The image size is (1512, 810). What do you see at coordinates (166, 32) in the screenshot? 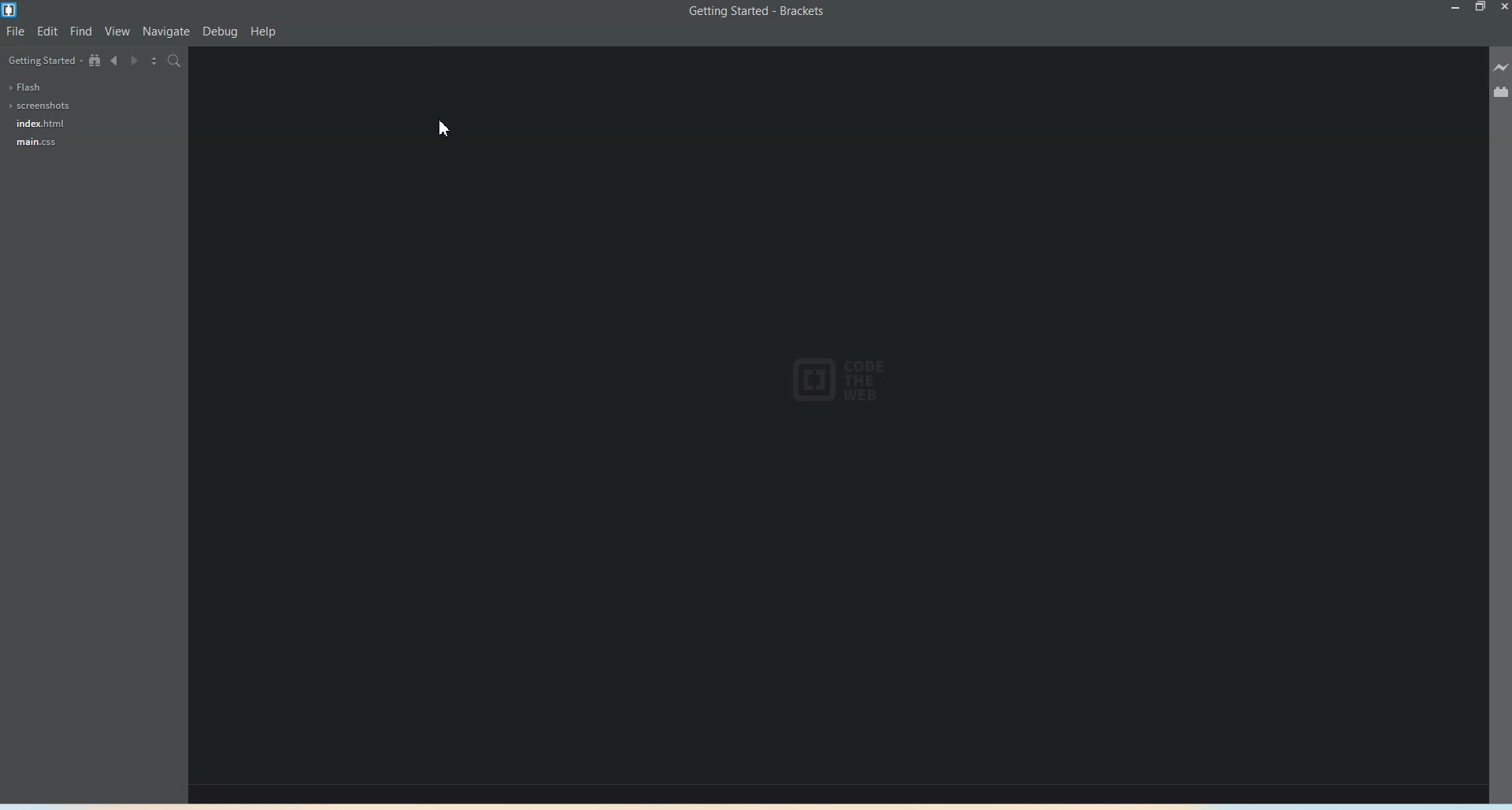
I see `Navigate` at bounding box center [166, 32].